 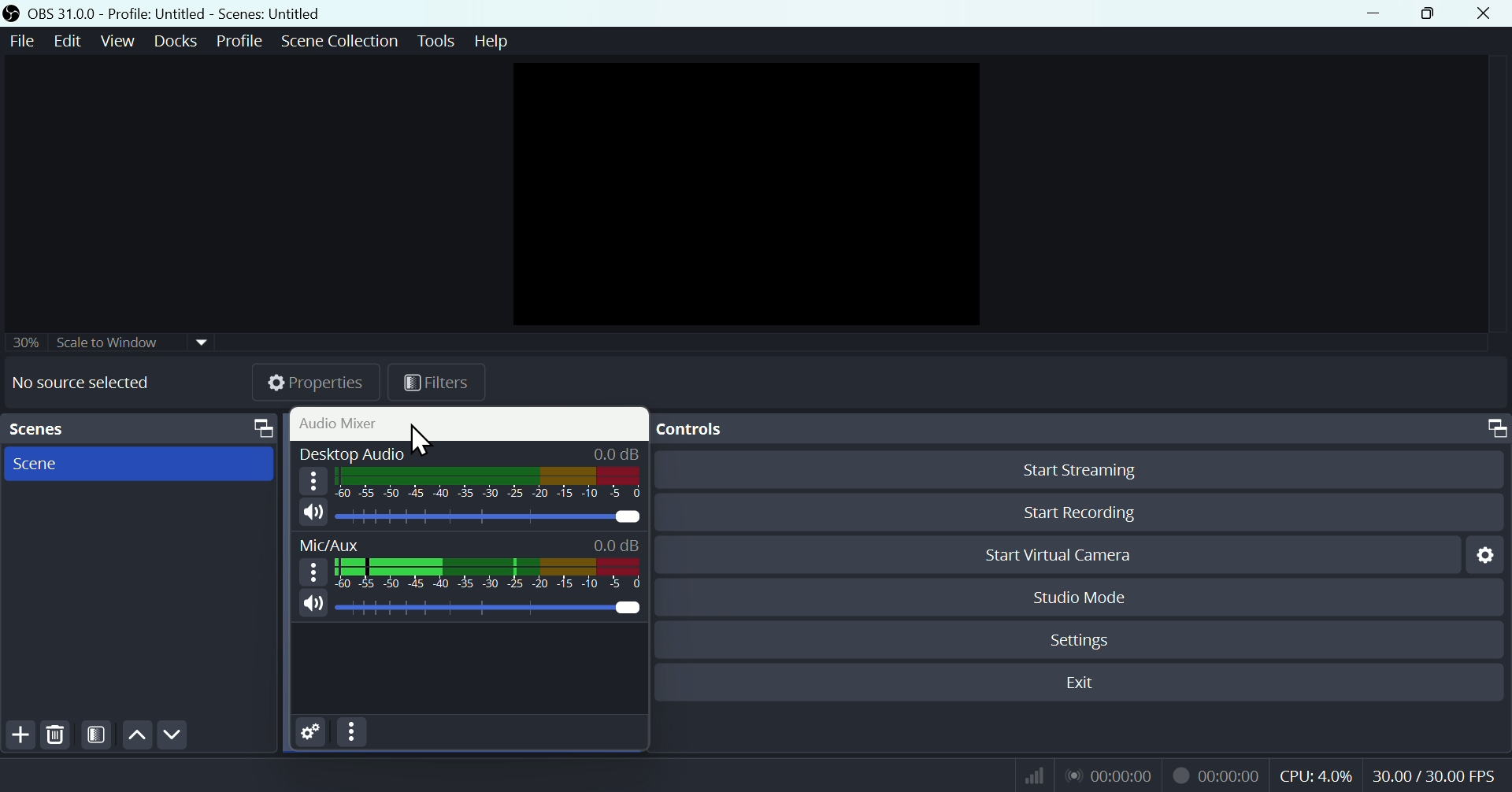 What do you see at coordinates (55, 734) in the screenshot?
I see `Delete` at bounding box center [55, 734].